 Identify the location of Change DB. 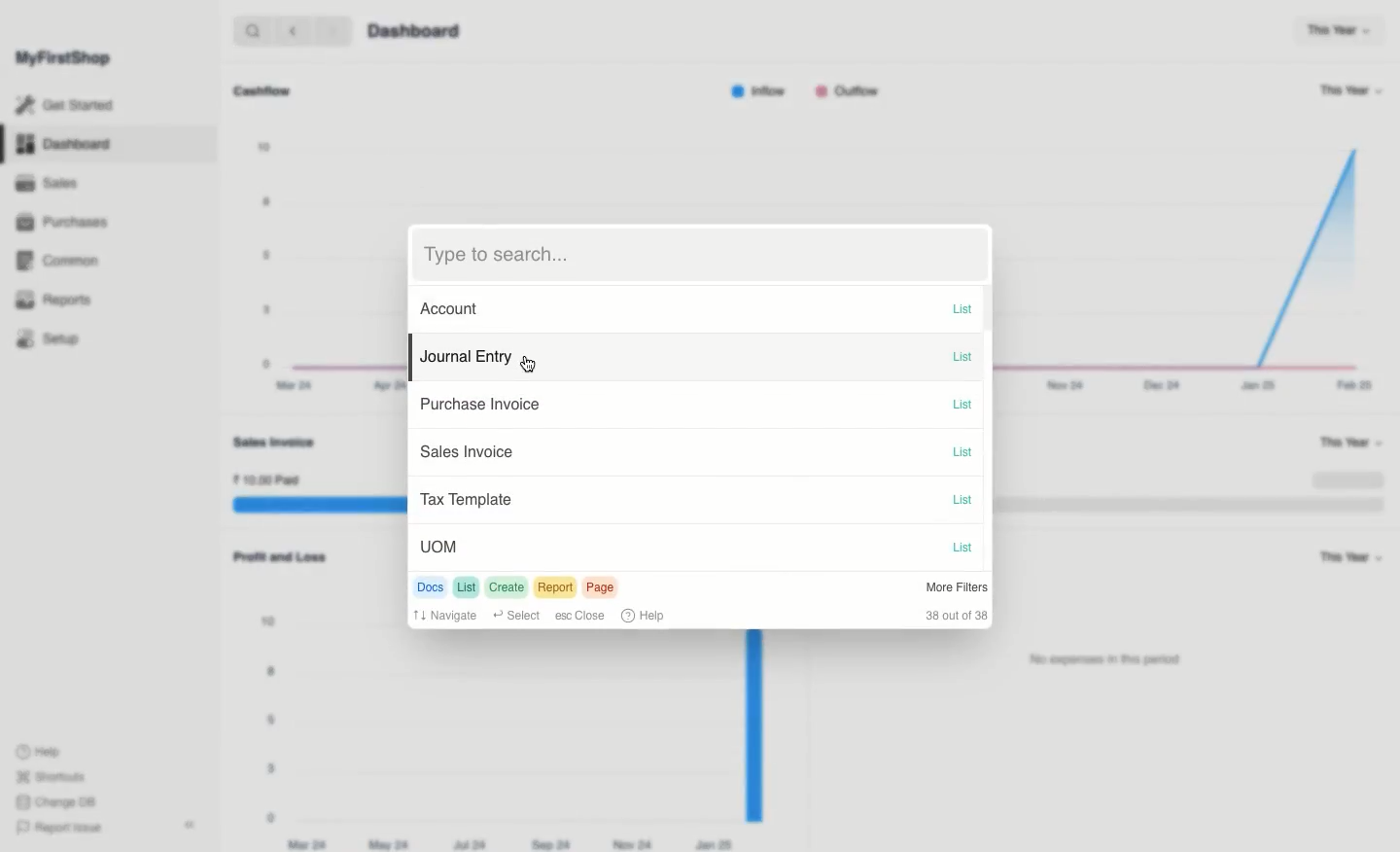
(56, 803).